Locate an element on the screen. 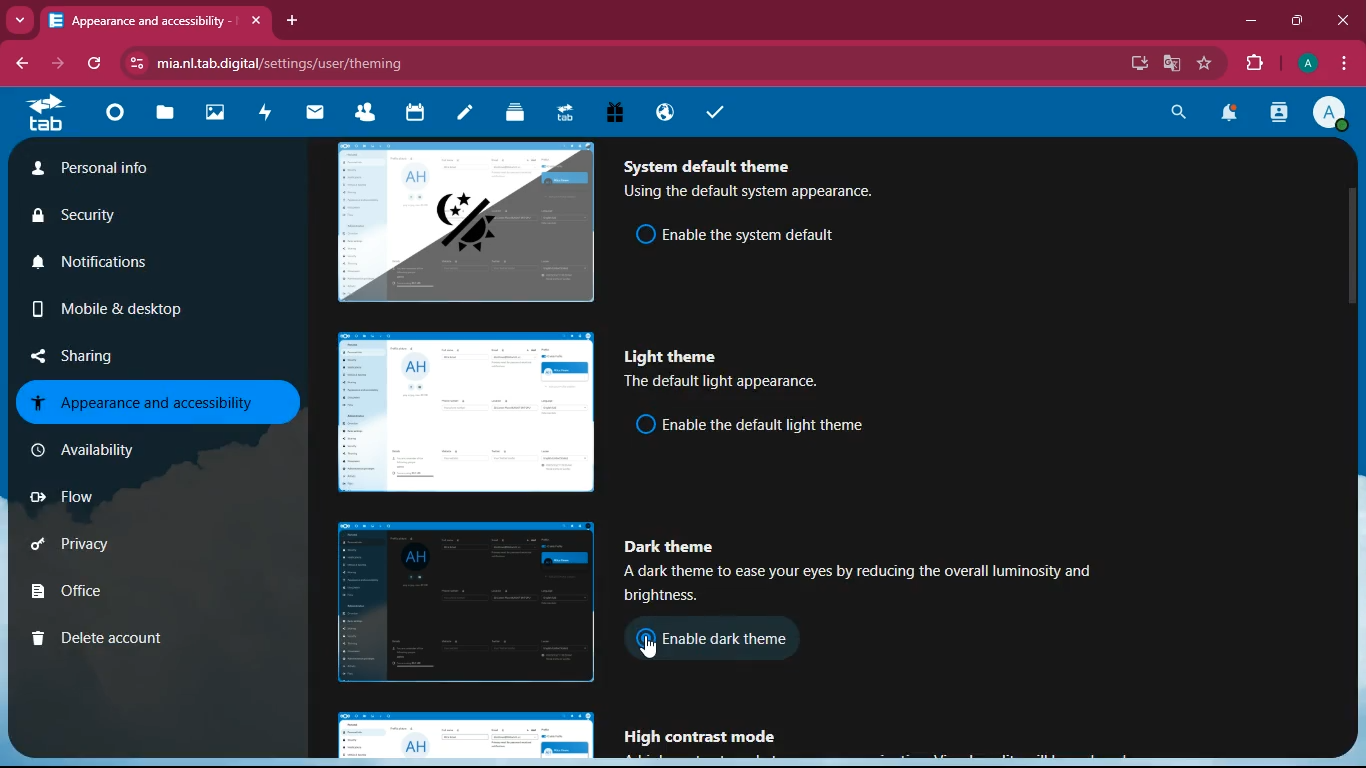 Image resolution: width=1366 pixels, height=768 pixels. availiability is located at coordinates (131, 450).